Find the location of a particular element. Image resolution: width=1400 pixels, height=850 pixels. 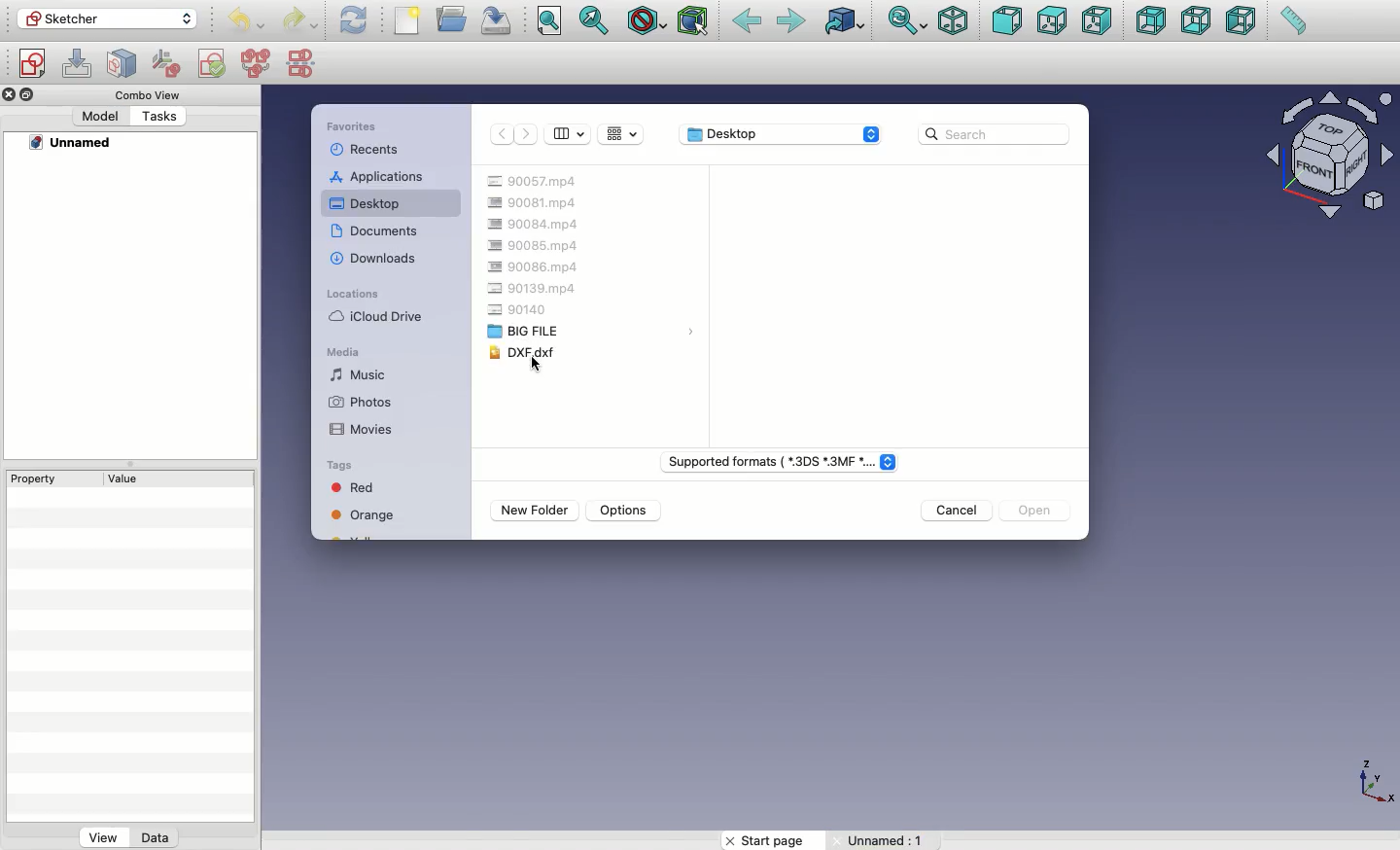

Orange is located at coordinates (367, 514).